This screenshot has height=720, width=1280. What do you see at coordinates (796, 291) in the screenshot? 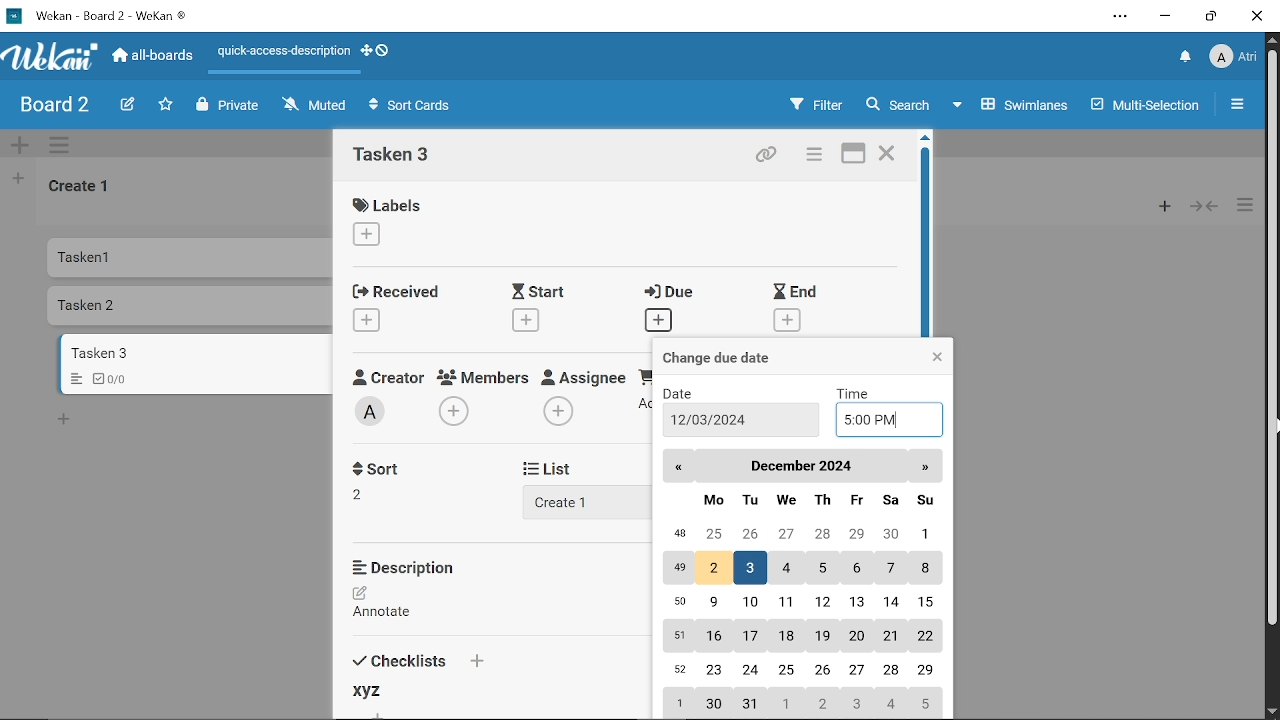
I see `End` at bounding box center [796, 291].